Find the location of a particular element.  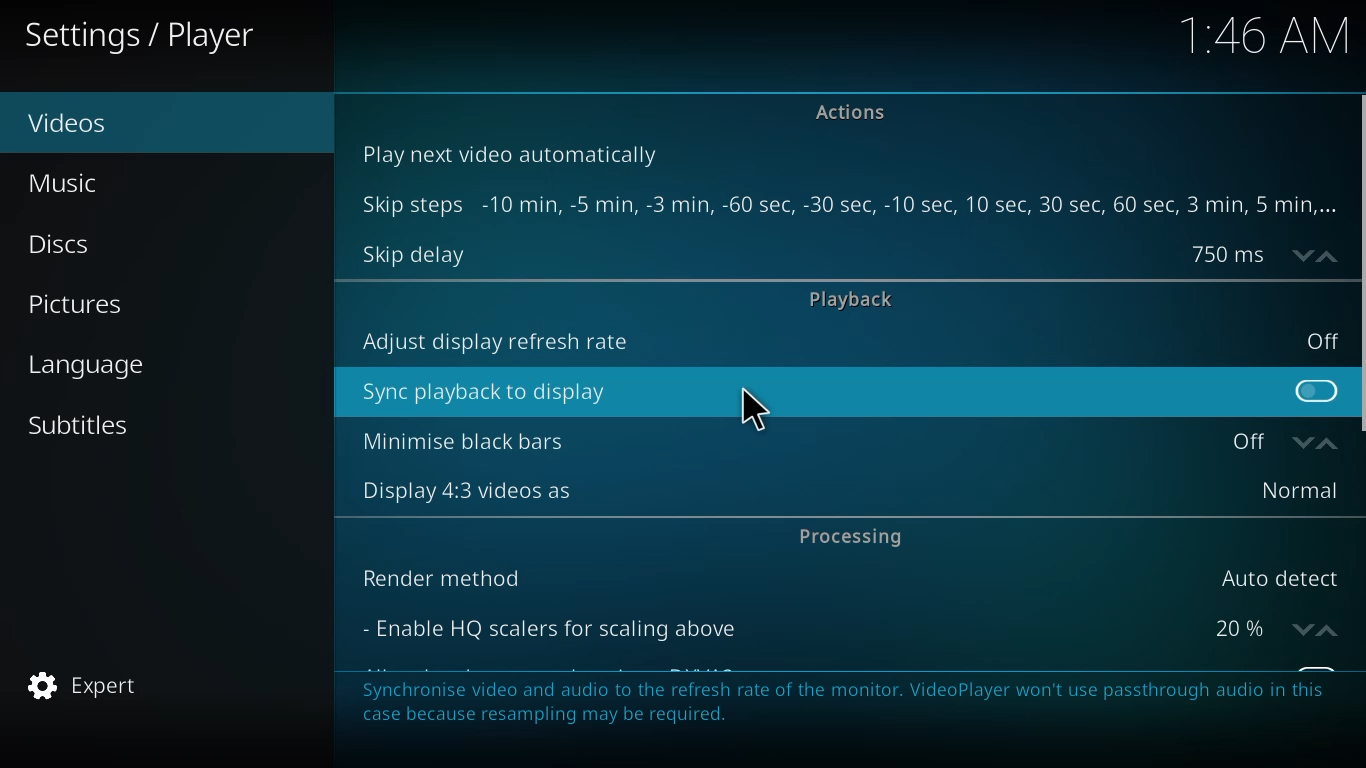

click to enable is located at coordinates (1316, 390).